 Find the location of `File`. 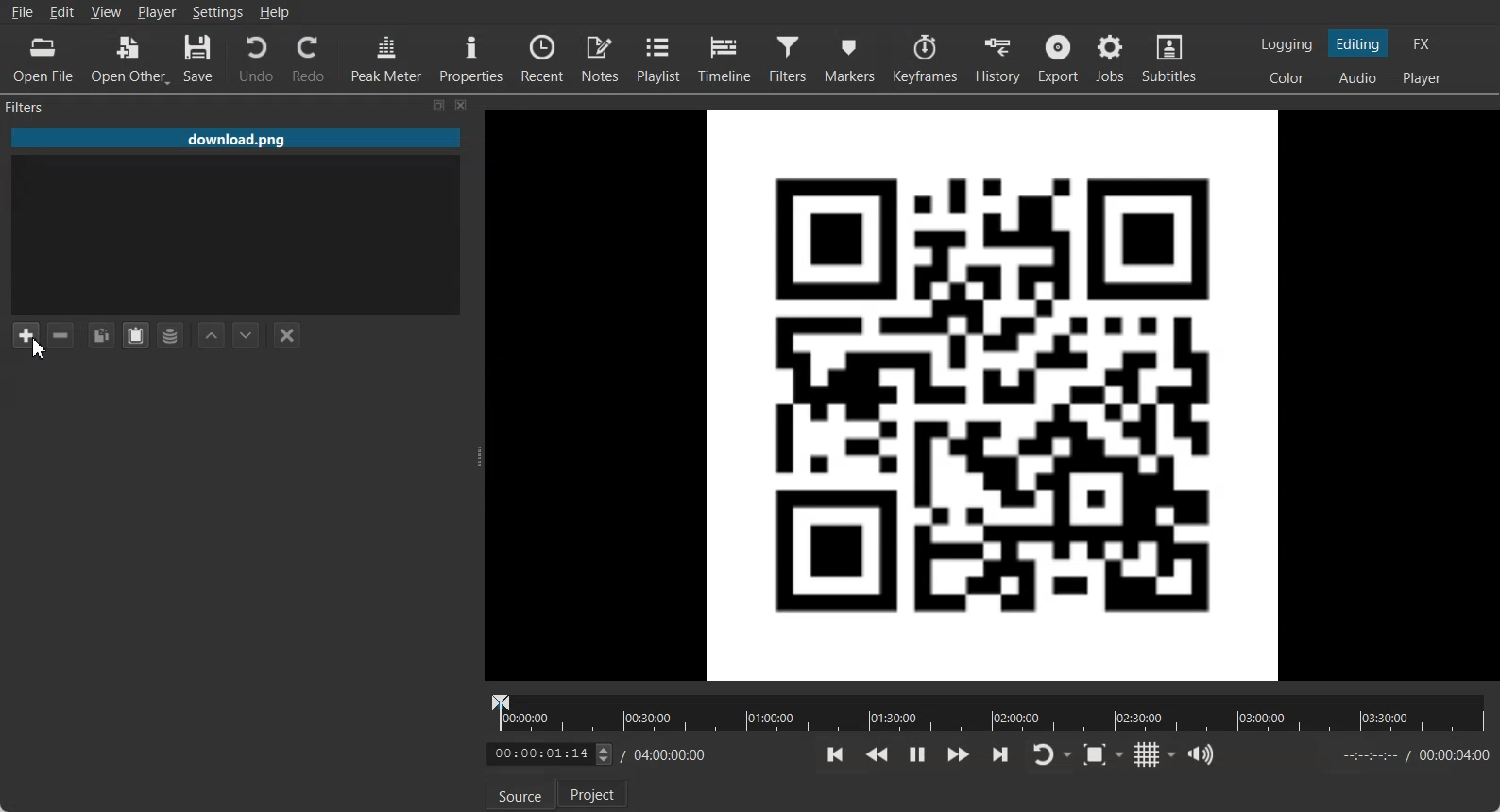

File is located at coordinates (235, 140).